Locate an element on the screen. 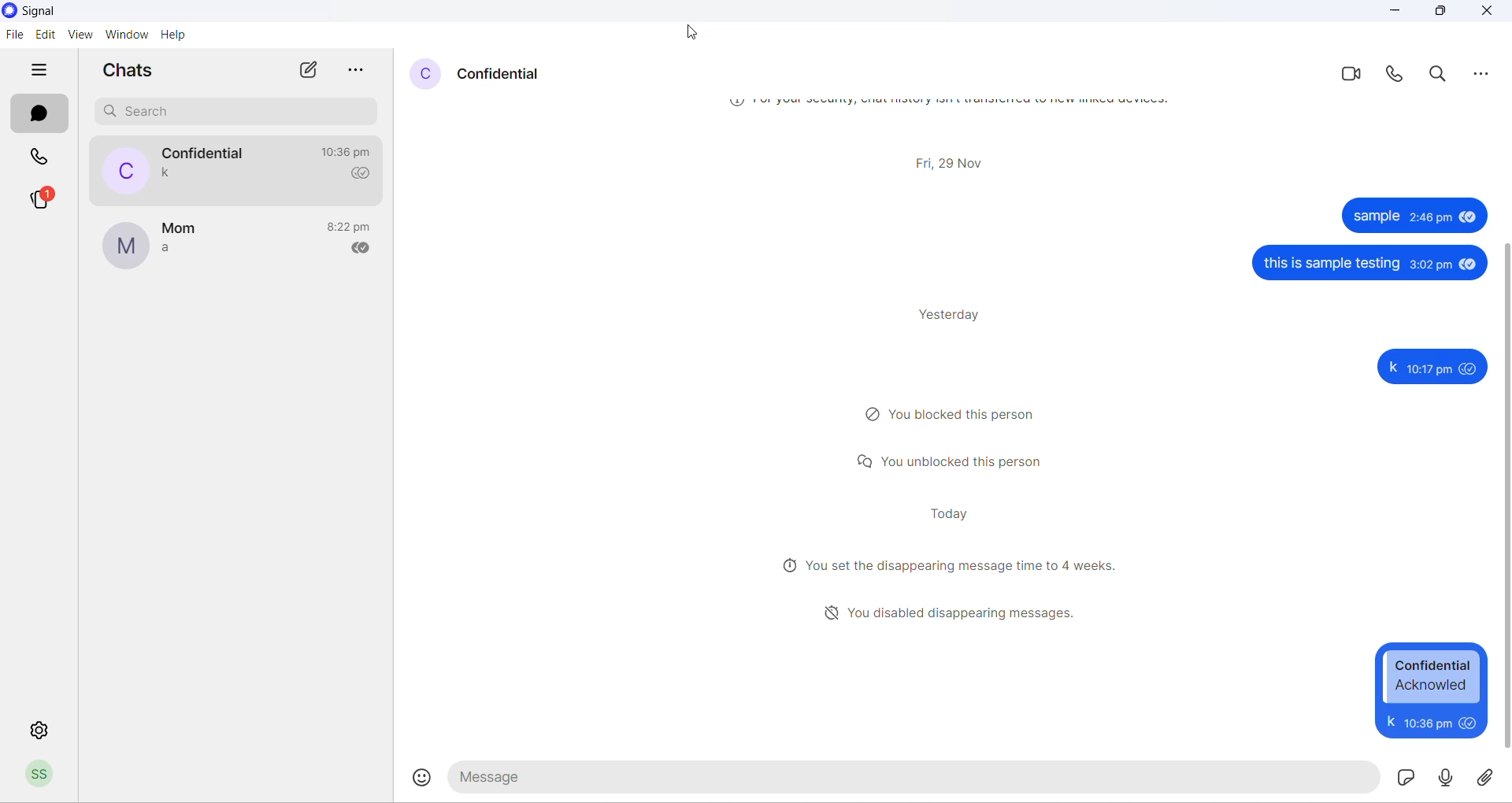 The width and height of the screenshot is (1512, 803). scroll bar is located at coordinates (1503, 497).